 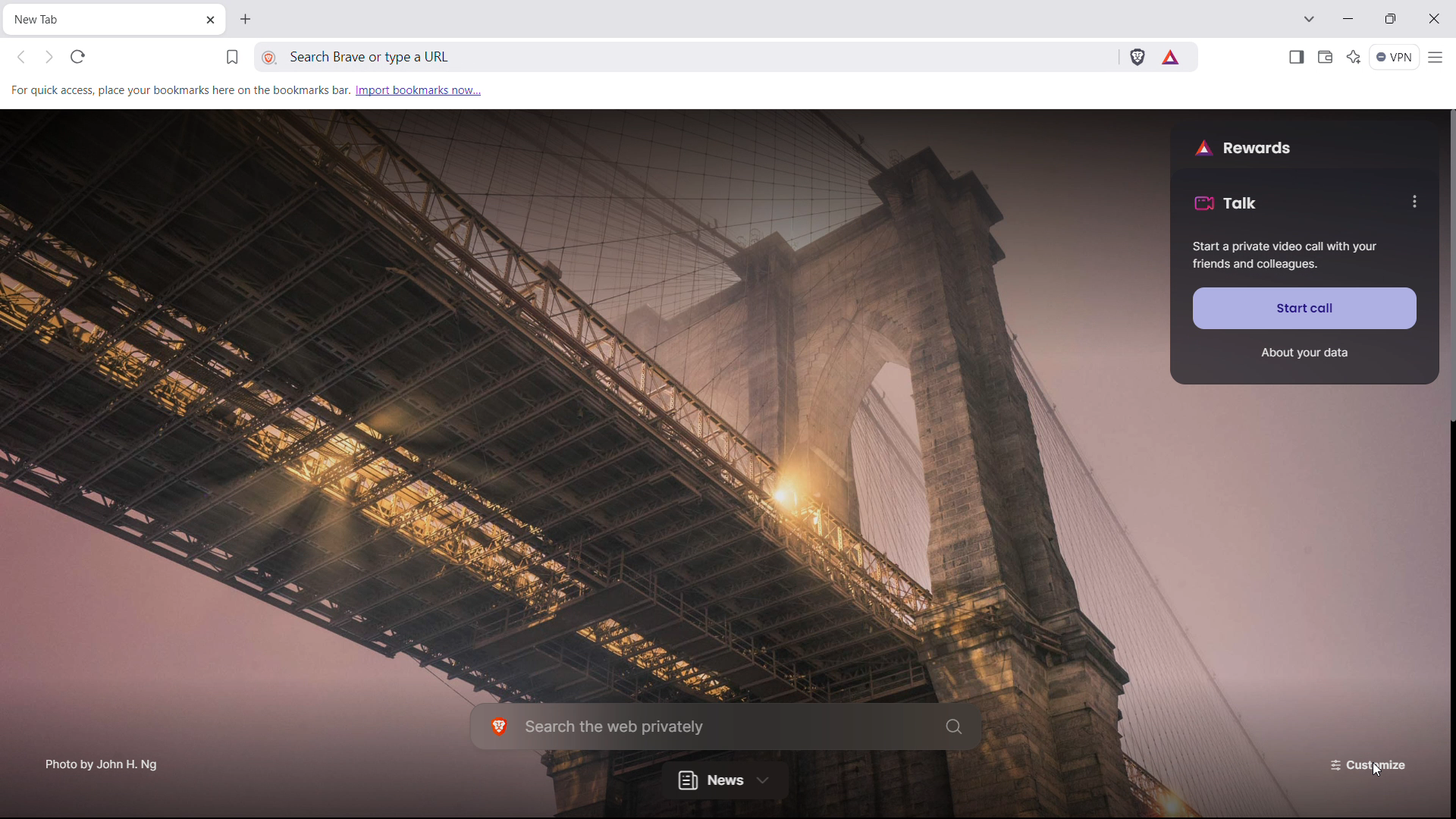 I want to click on search brave or type a URL, so click(x=596, y=57).